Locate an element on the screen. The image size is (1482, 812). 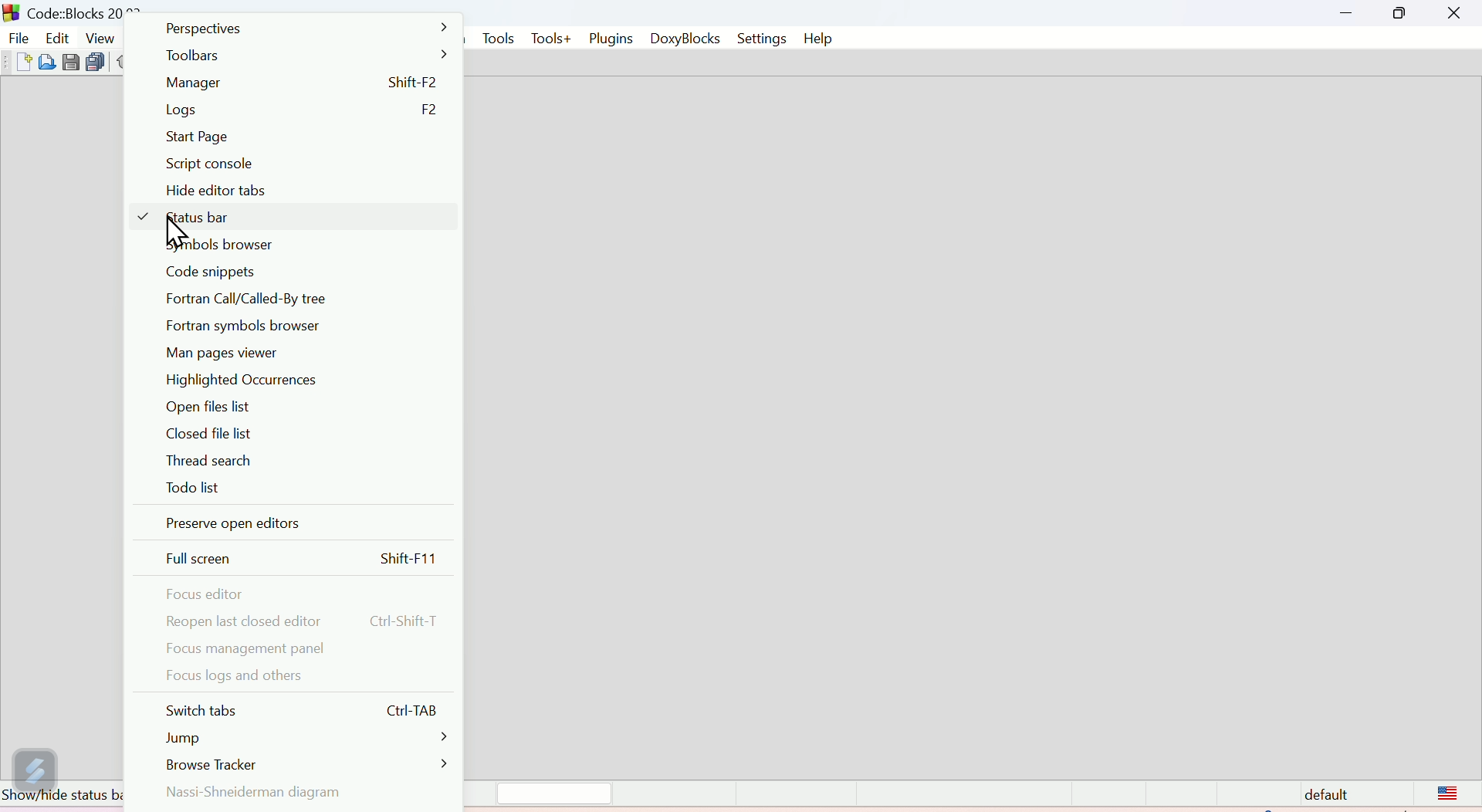
Man pages viewer is located at coordinates (225, 353).